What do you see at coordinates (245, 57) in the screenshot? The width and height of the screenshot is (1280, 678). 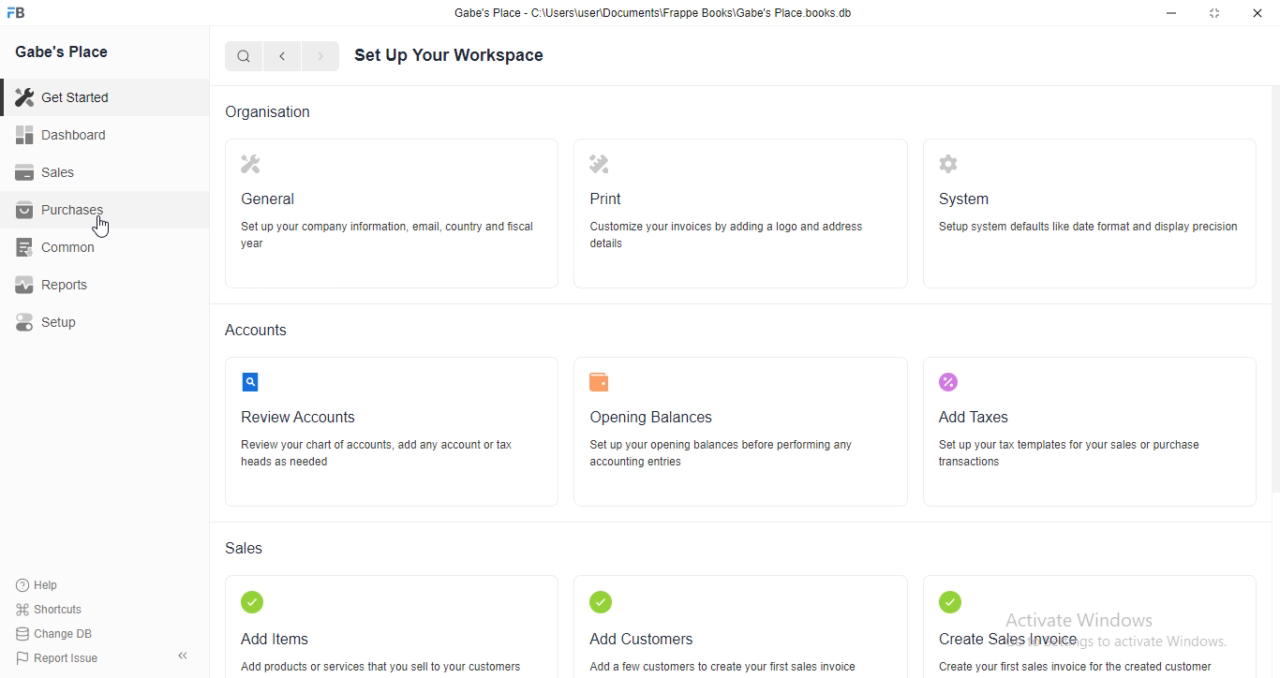 I see `search` at bounding box center [245, 57].